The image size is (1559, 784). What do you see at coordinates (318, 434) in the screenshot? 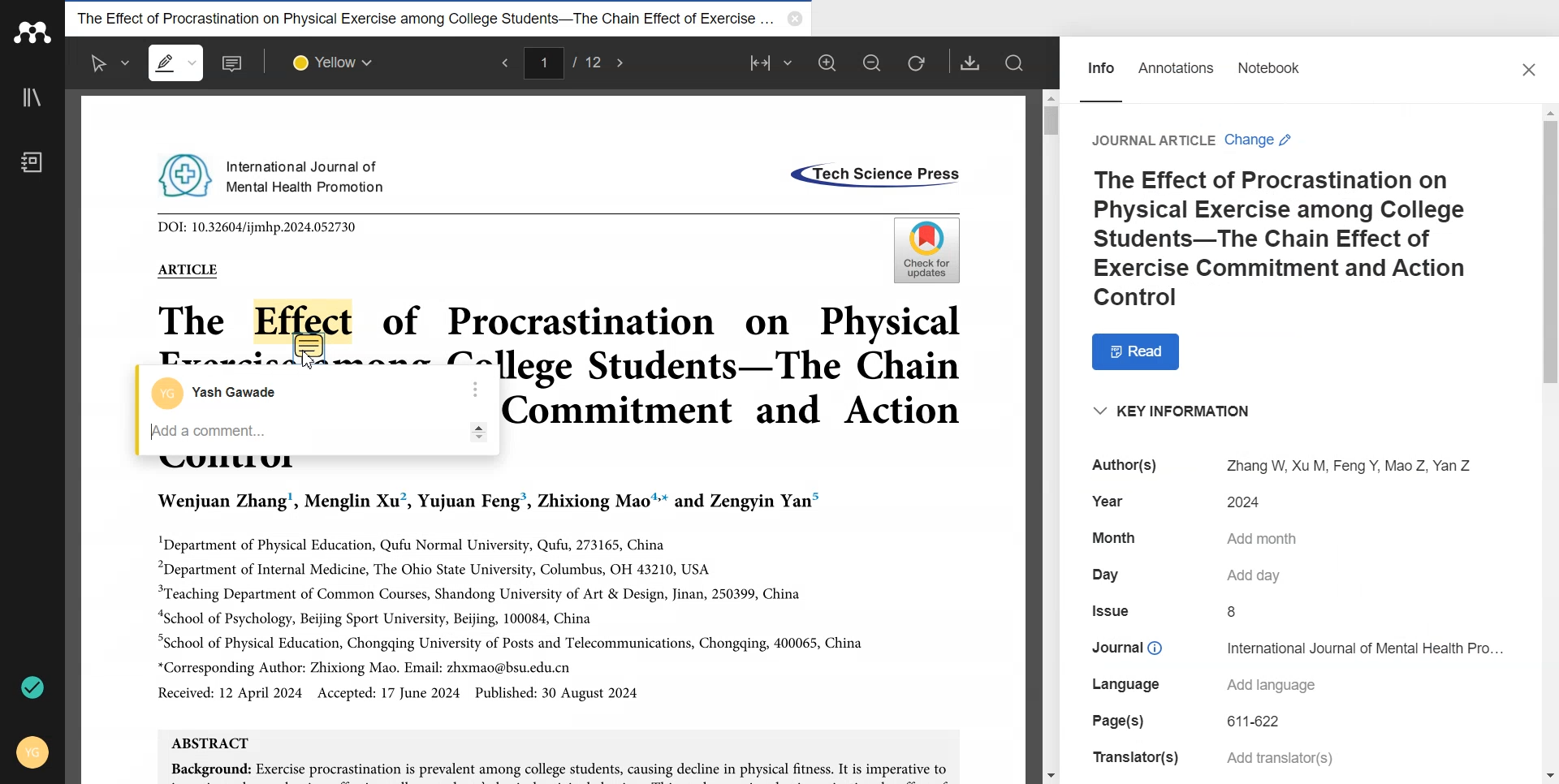
I see `Type note` at bounding box center [318, 434].